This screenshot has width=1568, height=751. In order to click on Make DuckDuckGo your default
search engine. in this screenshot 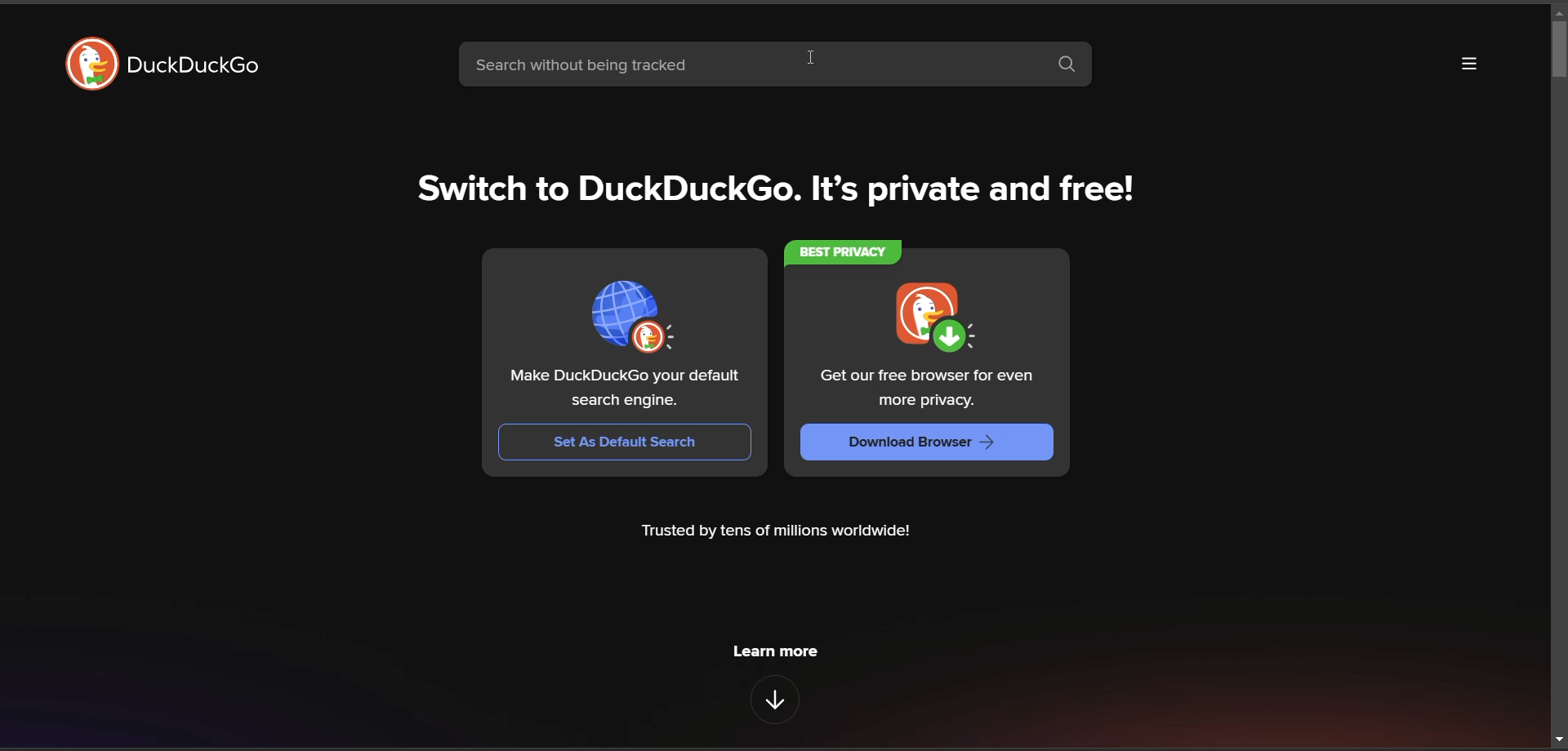, I will do `click(631, 391)`.